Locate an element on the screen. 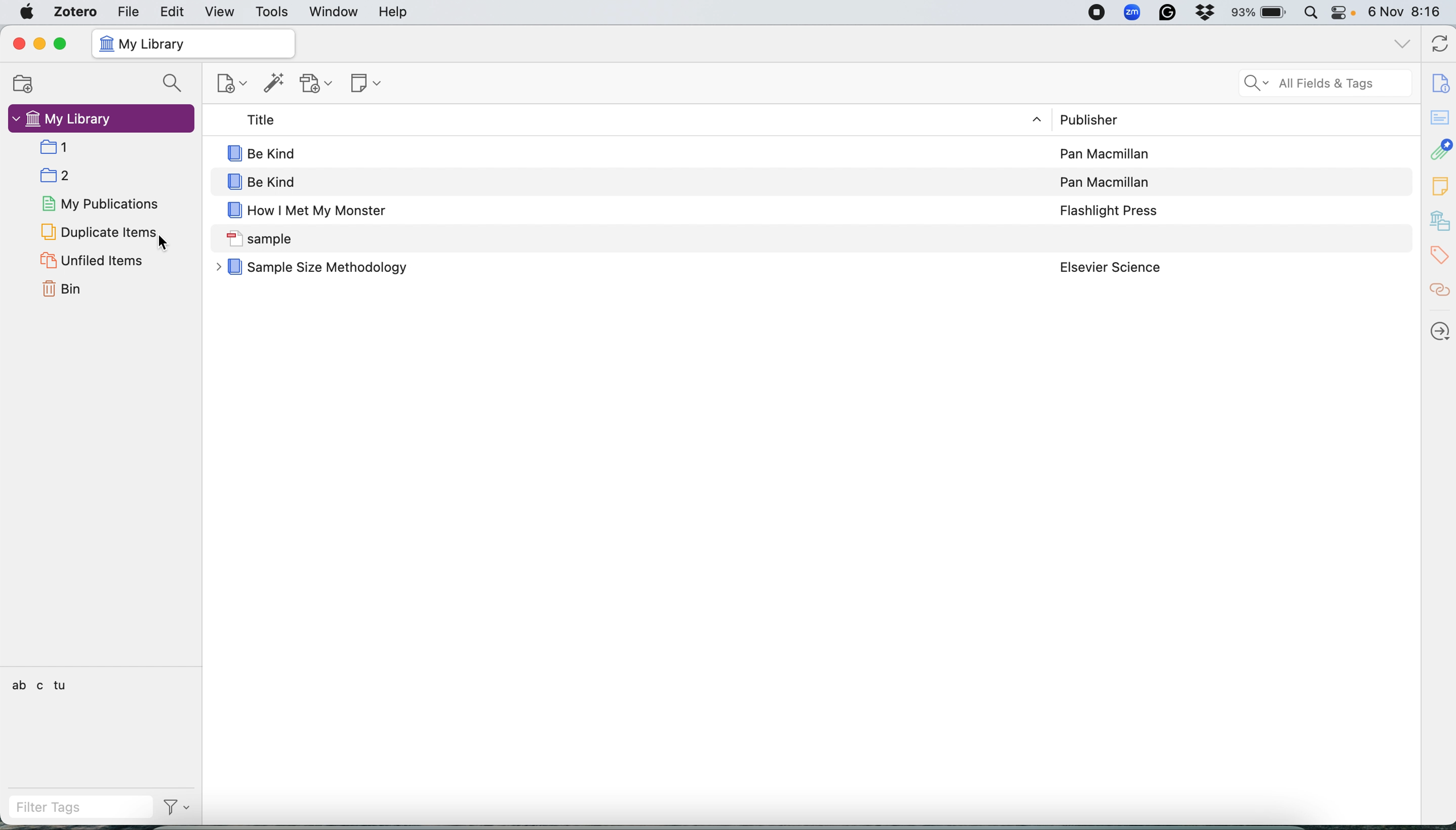 The image size is (1456, 830). abstract is located at coordinates (1439, 115).